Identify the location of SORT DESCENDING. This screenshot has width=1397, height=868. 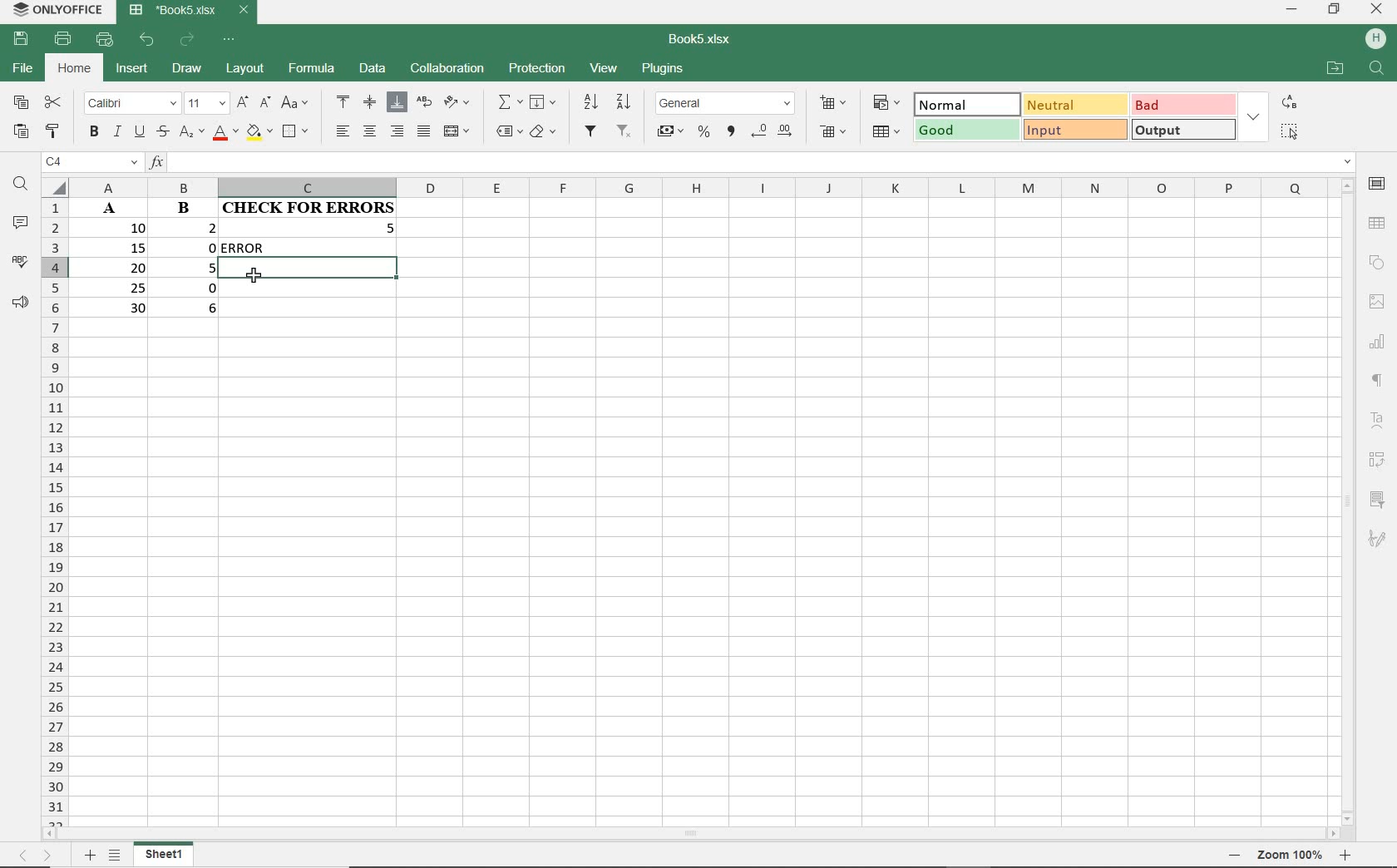
(590, 102).